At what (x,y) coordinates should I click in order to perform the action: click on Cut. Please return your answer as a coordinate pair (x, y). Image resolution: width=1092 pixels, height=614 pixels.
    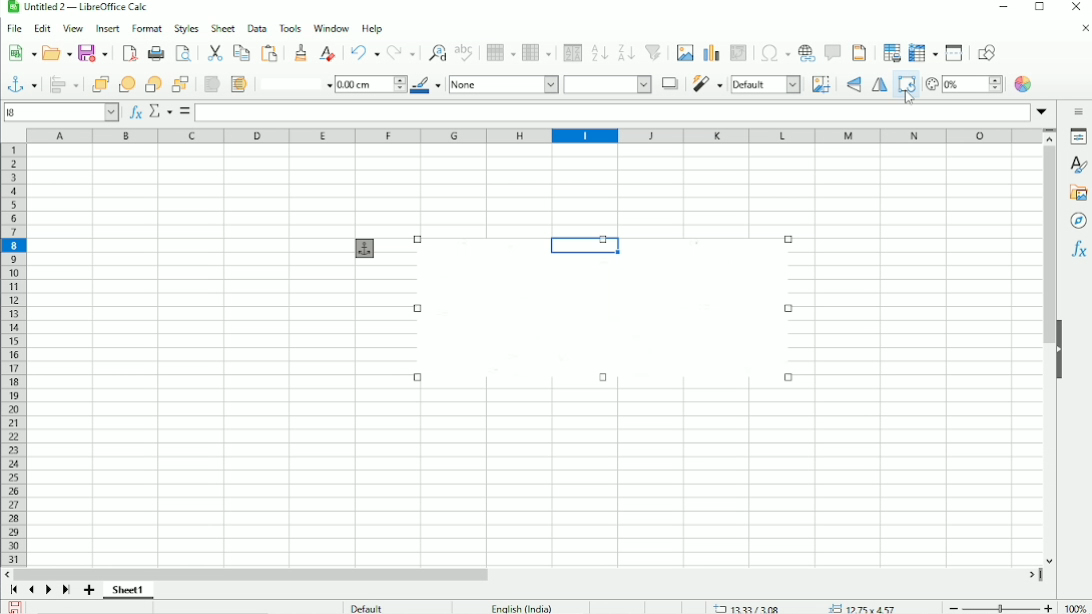
    Looking at the image, I should click on (215, 53).